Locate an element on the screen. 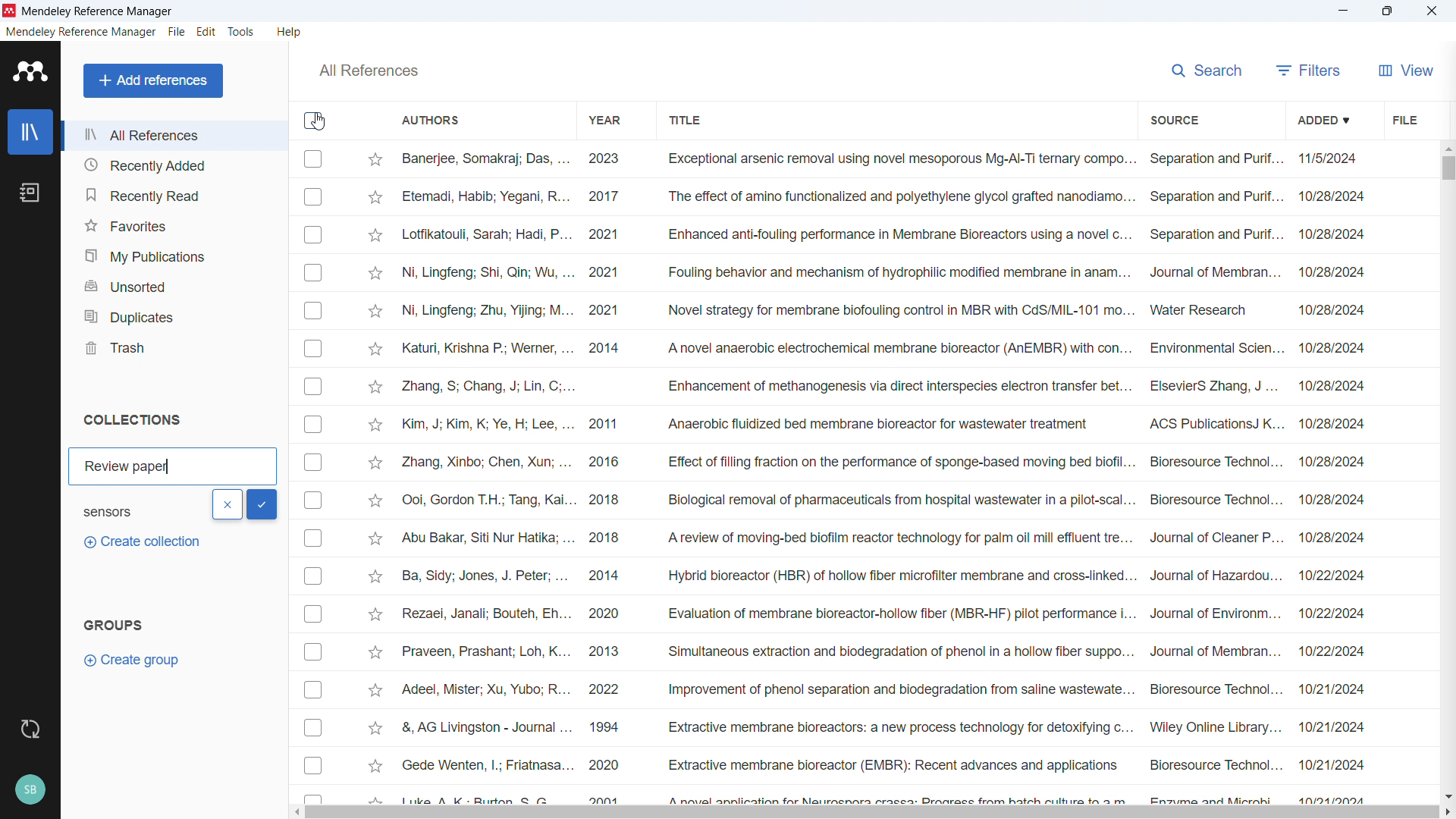 This screenshot has width=1456, height=819. filters is located at coordinates (1309, 68).